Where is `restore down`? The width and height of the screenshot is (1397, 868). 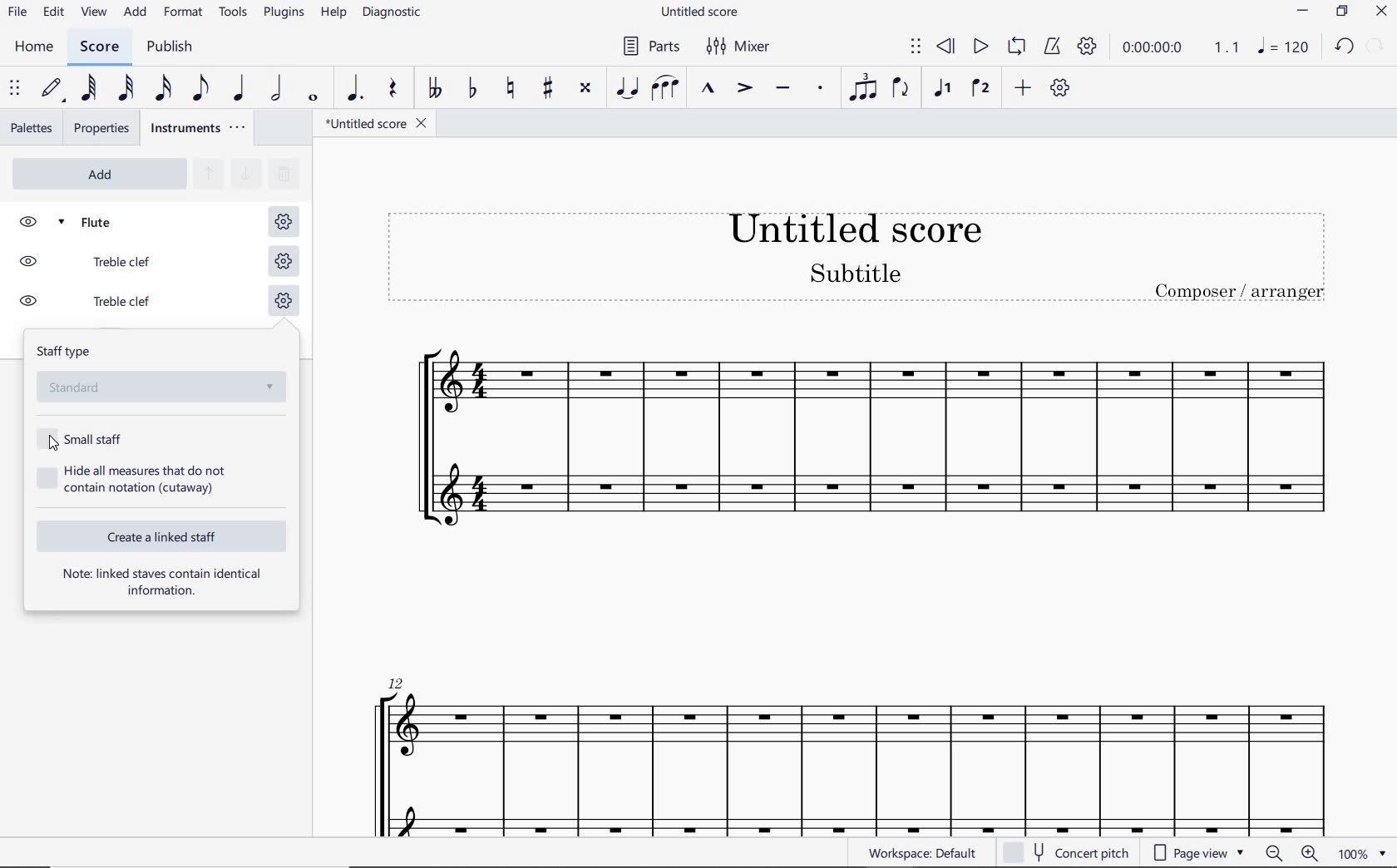
restore down is located at coordinates (1341, 12).